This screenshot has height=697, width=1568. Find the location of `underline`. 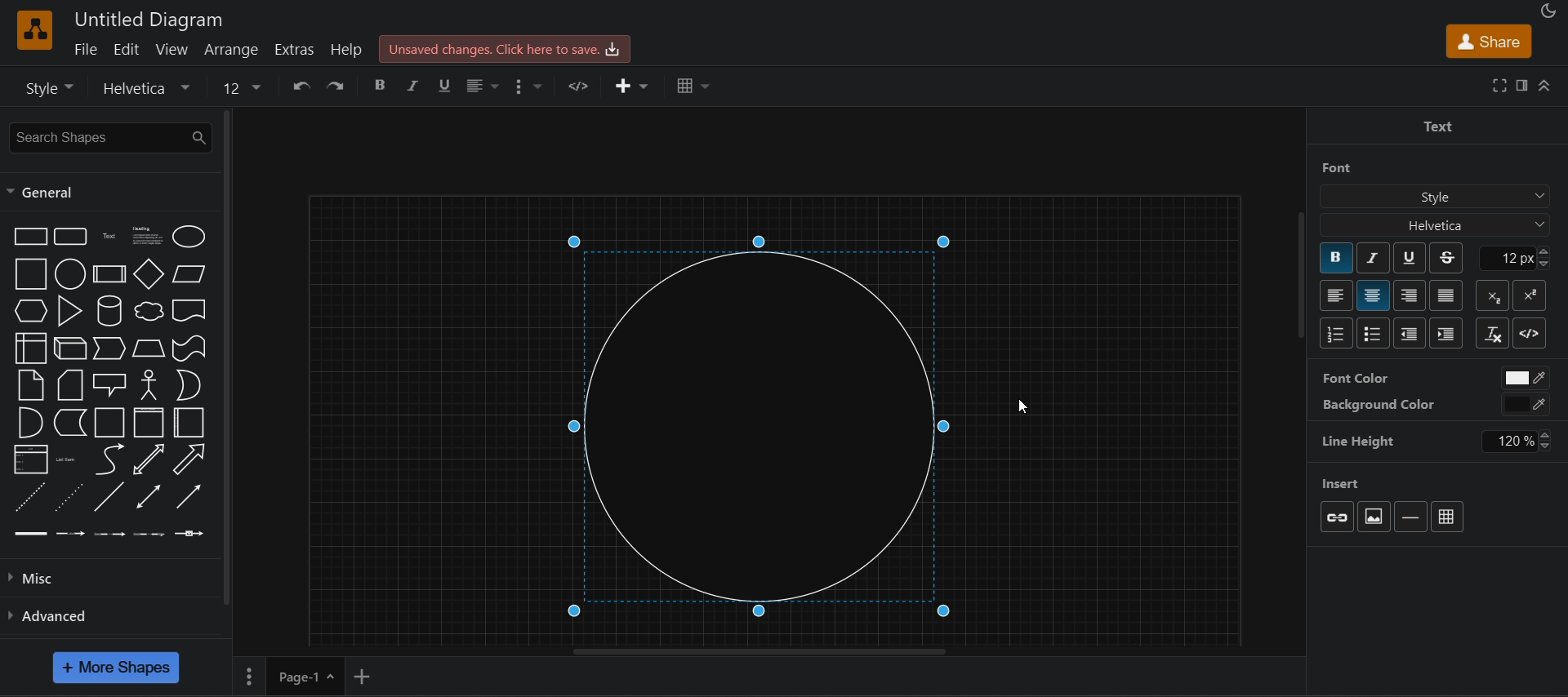

underline is located at coordinates (1408, 258).